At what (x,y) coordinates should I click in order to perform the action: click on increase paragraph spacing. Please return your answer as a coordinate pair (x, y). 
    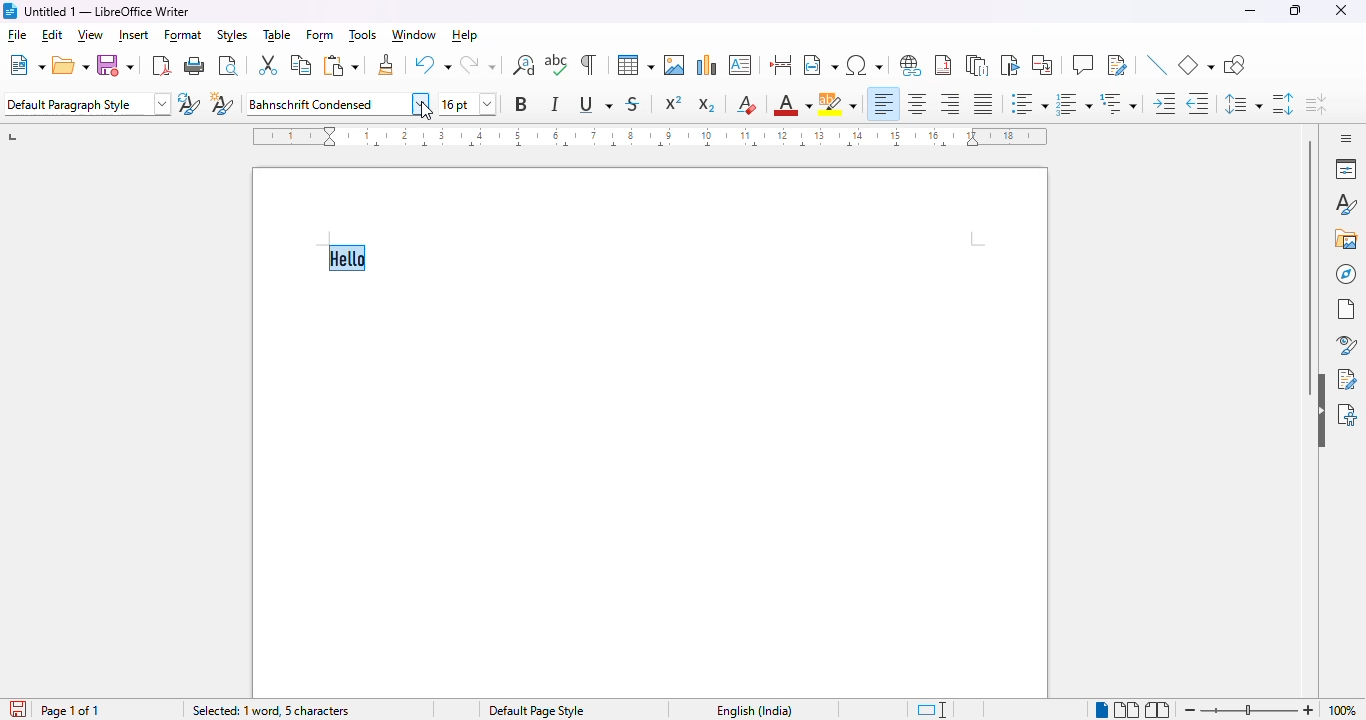
    Looking at the image, I should click on (1282, 104).